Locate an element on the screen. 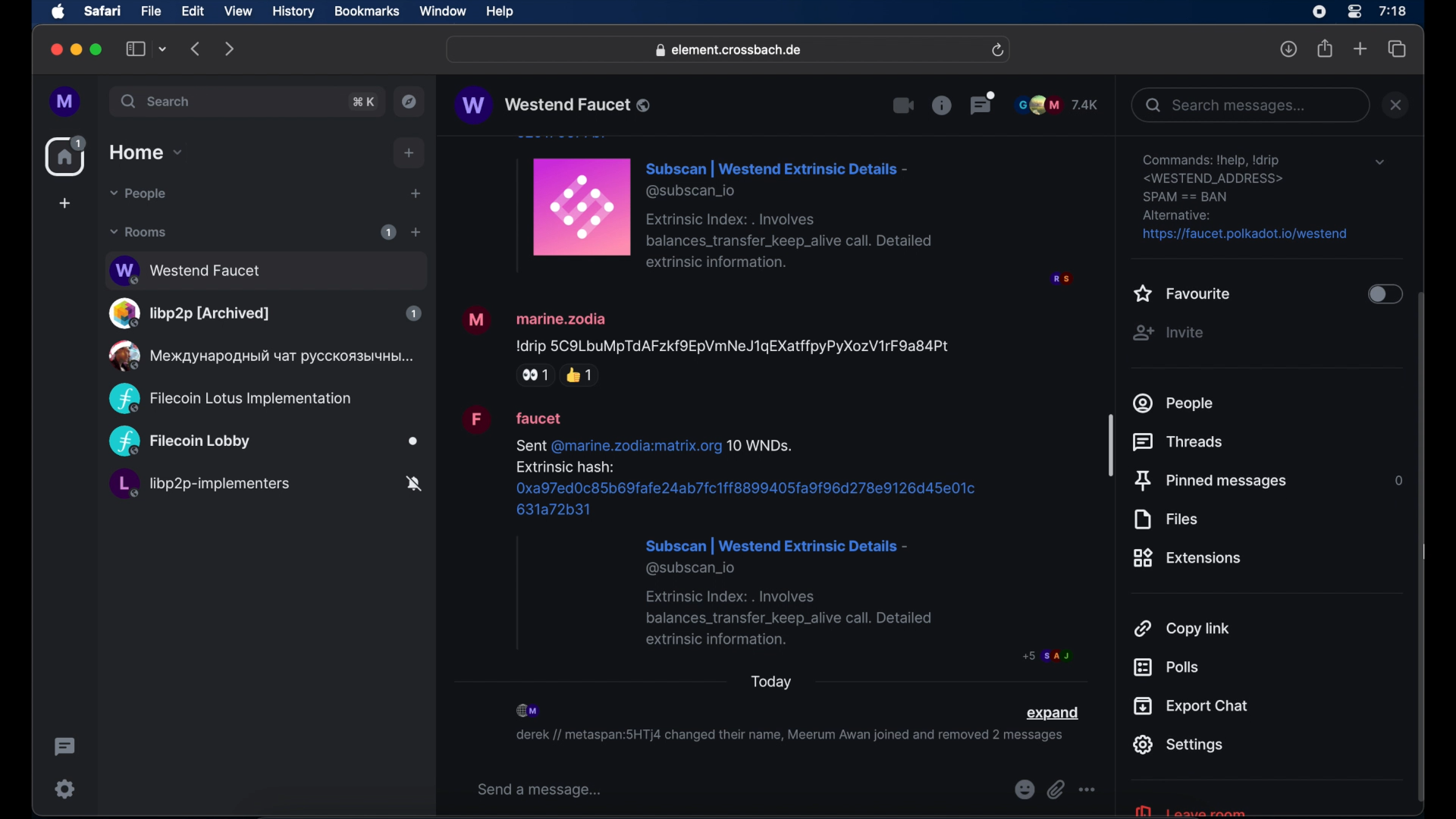 The image size is (1456, 819). threads is located at coordinates (983, 102).